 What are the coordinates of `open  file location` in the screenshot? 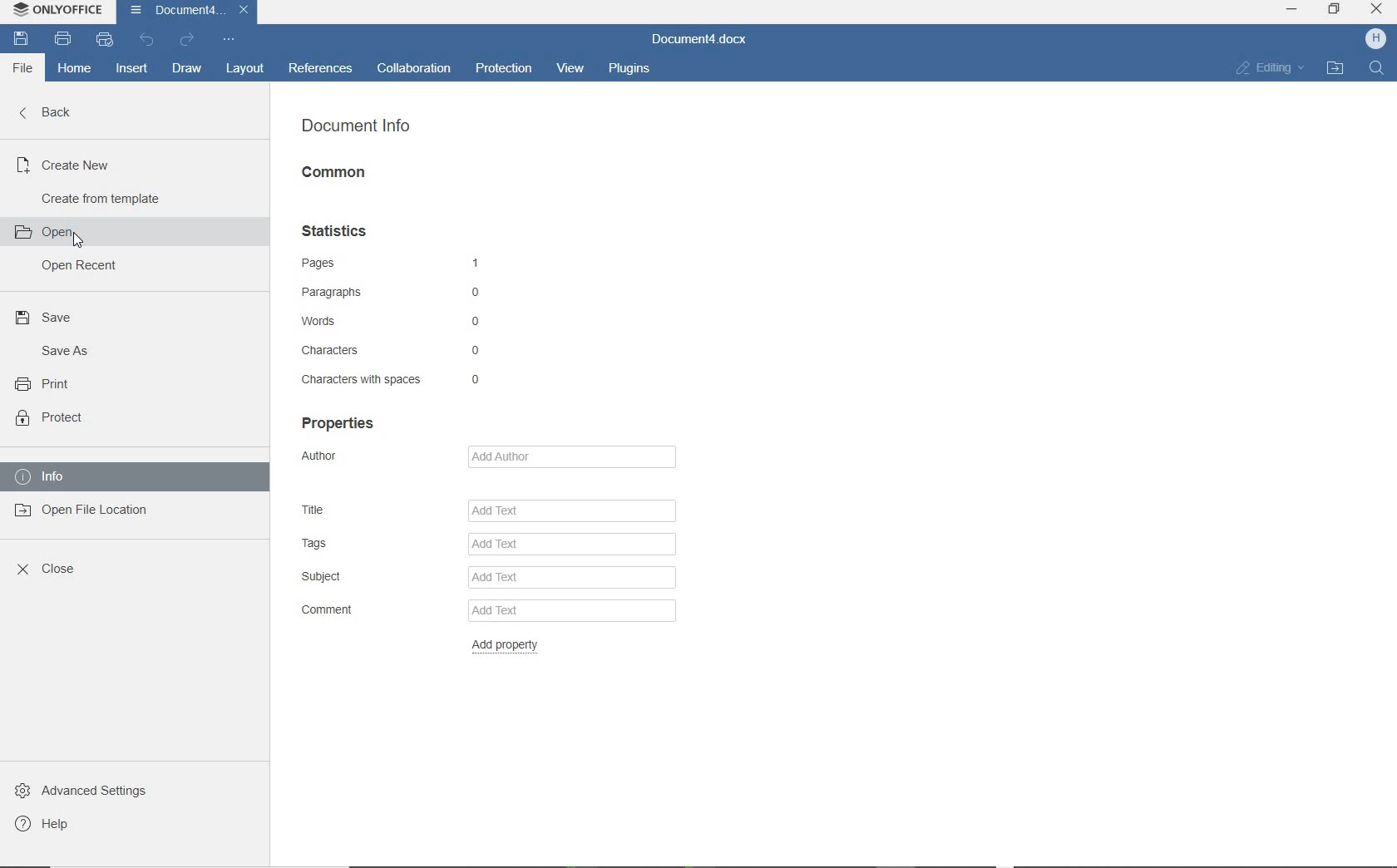 It's located at (86, 509).